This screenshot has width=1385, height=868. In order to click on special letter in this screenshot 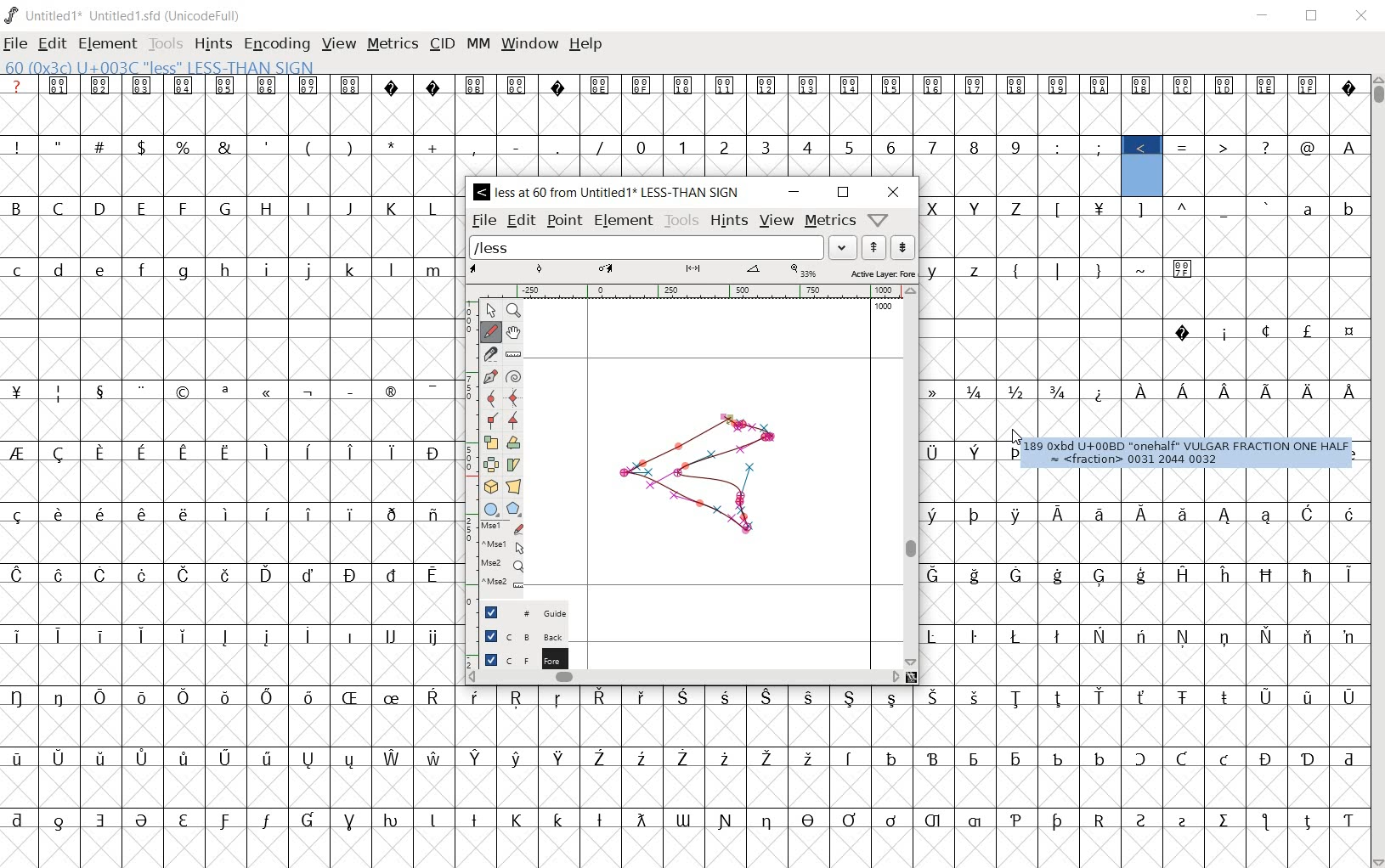, I will do `click(1144, 634)`.